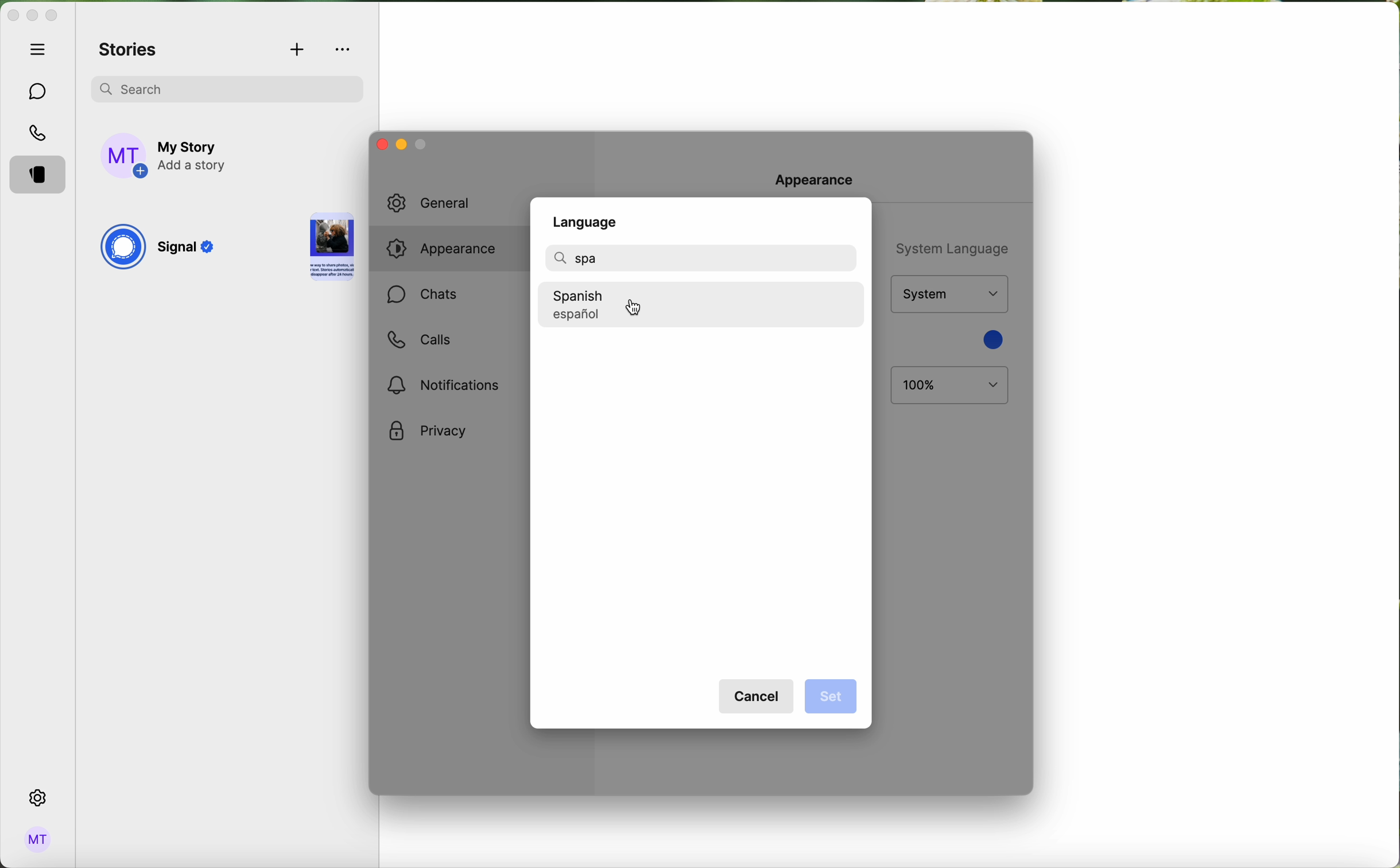  What do you see at coordinates (428, 432) in the screenshot?
I see `privacy` at bounding box center [428, 432].